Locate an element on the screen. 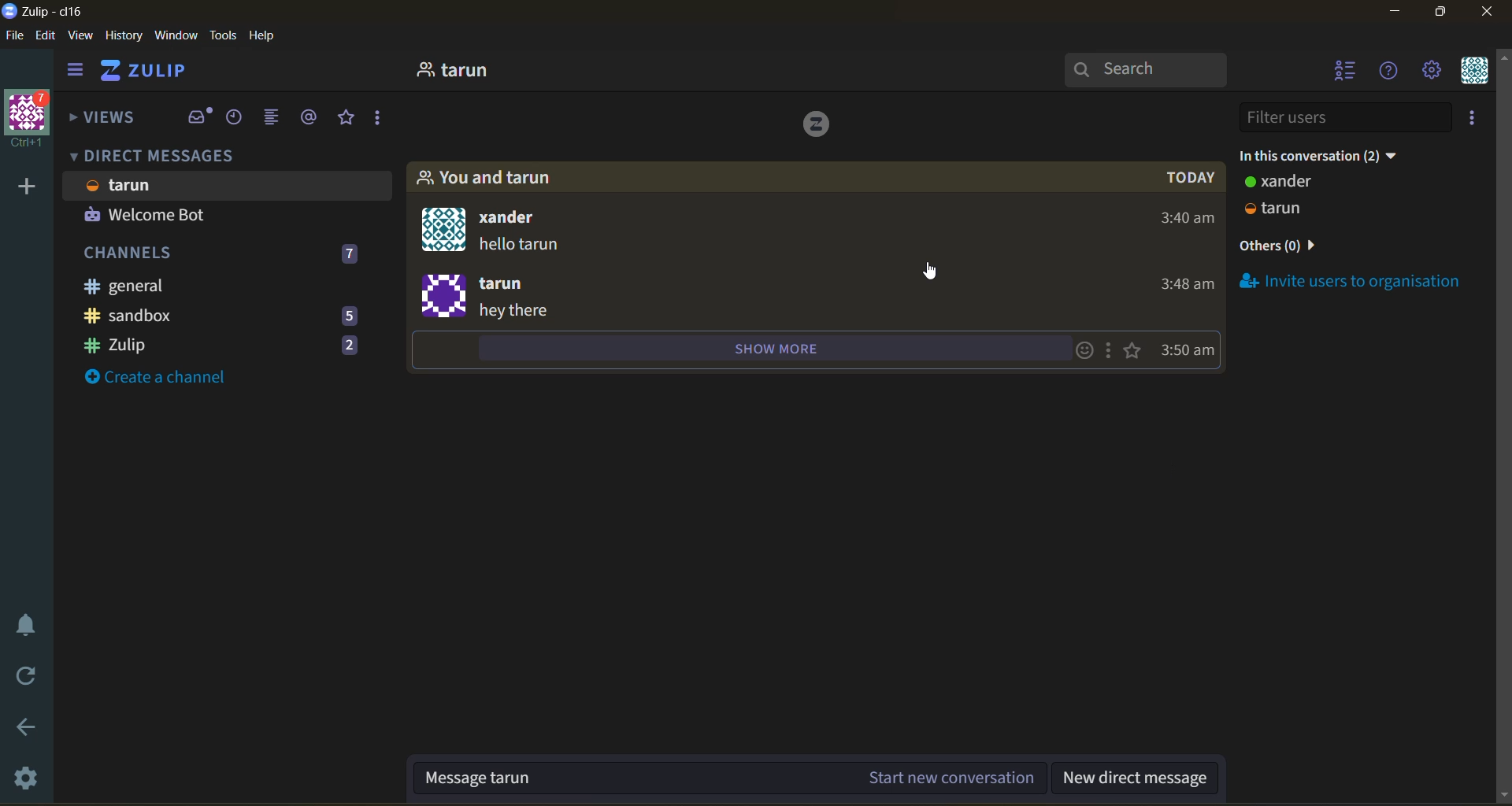 This screenshot has width=1512, height=806. enable do not disturb is located at coordinates (24, 625).